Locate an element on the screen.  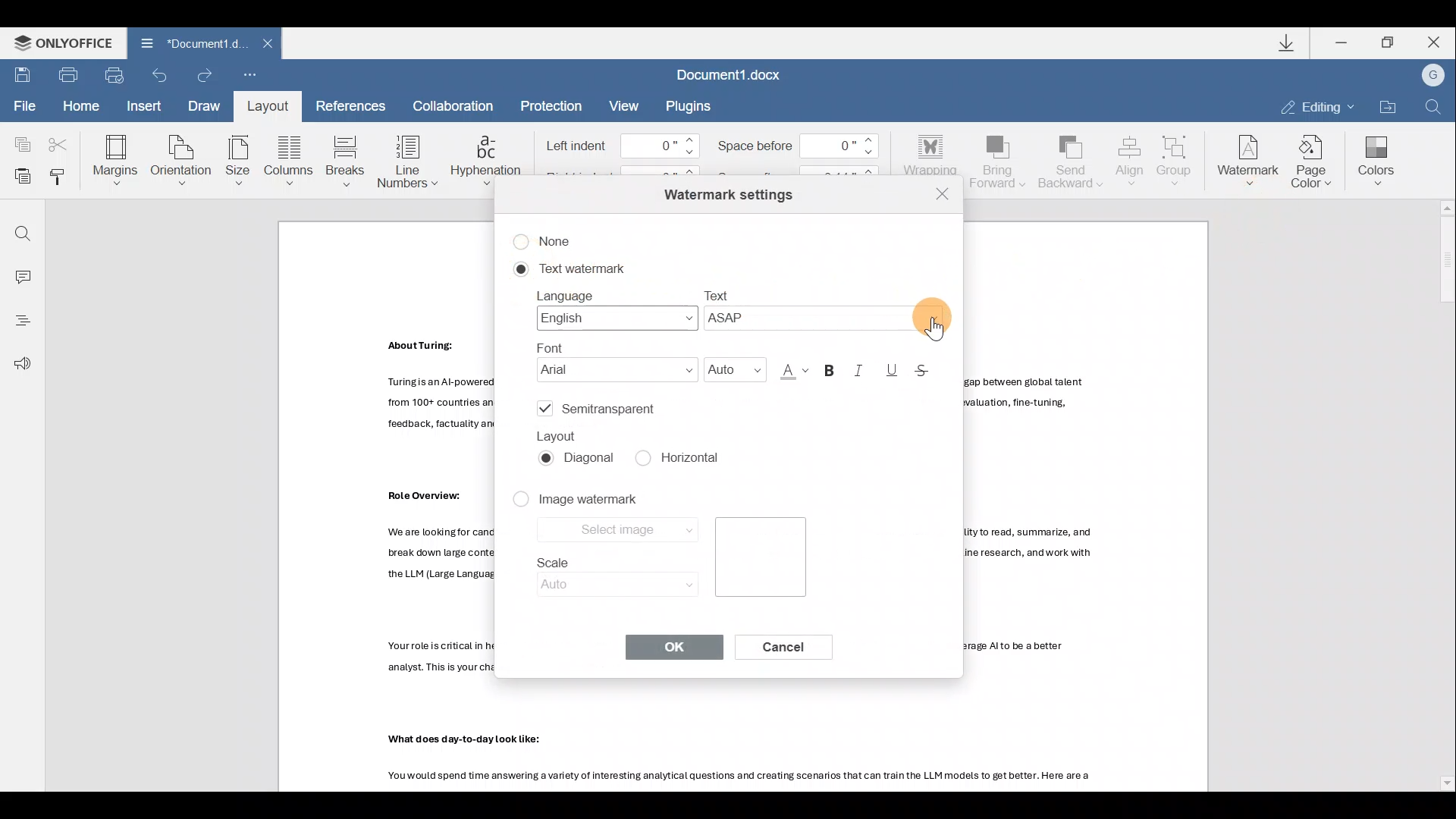
Maximize is located at coordinates (1386, 42).